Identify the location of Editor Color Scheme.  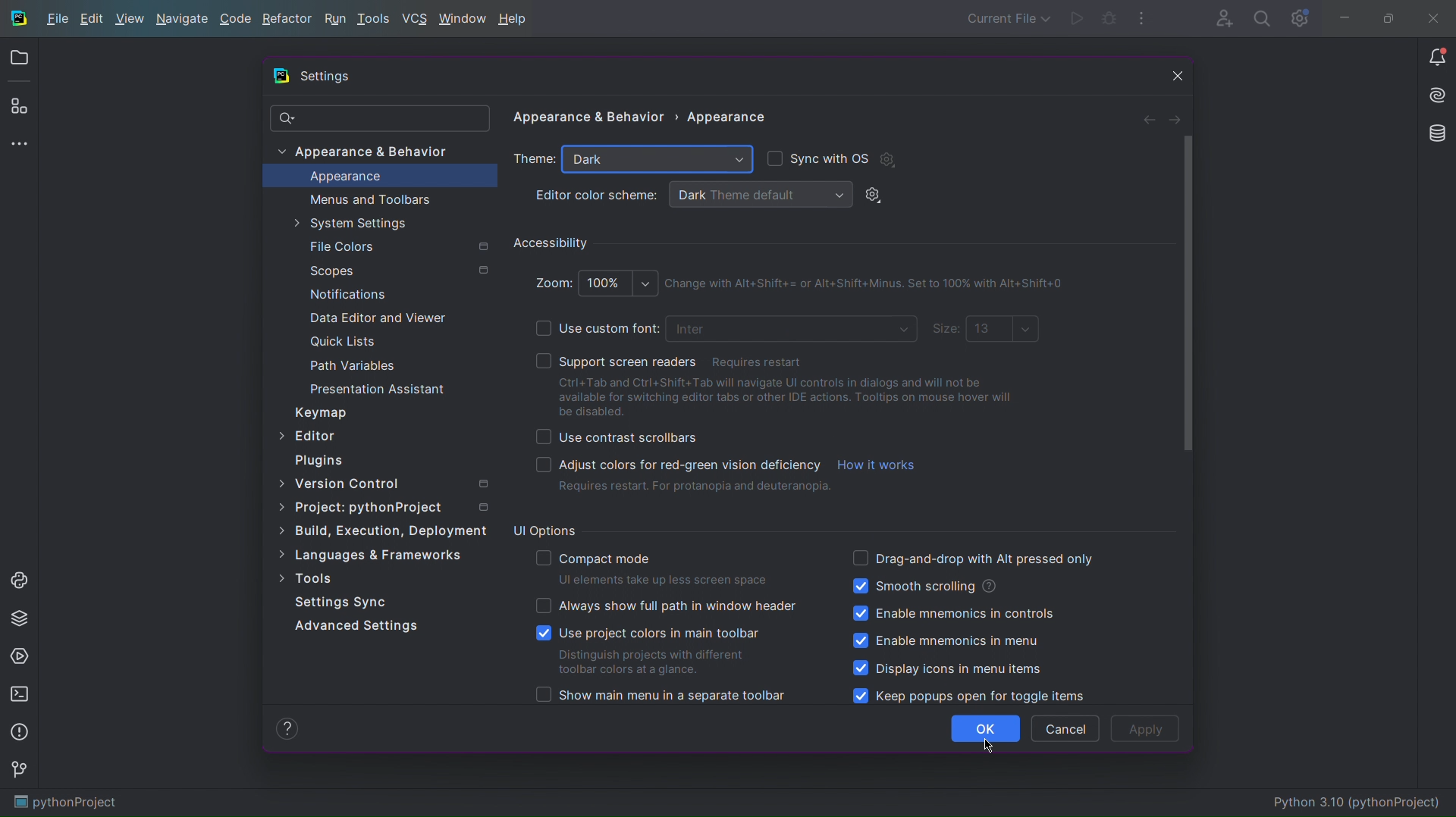
(597, 195).